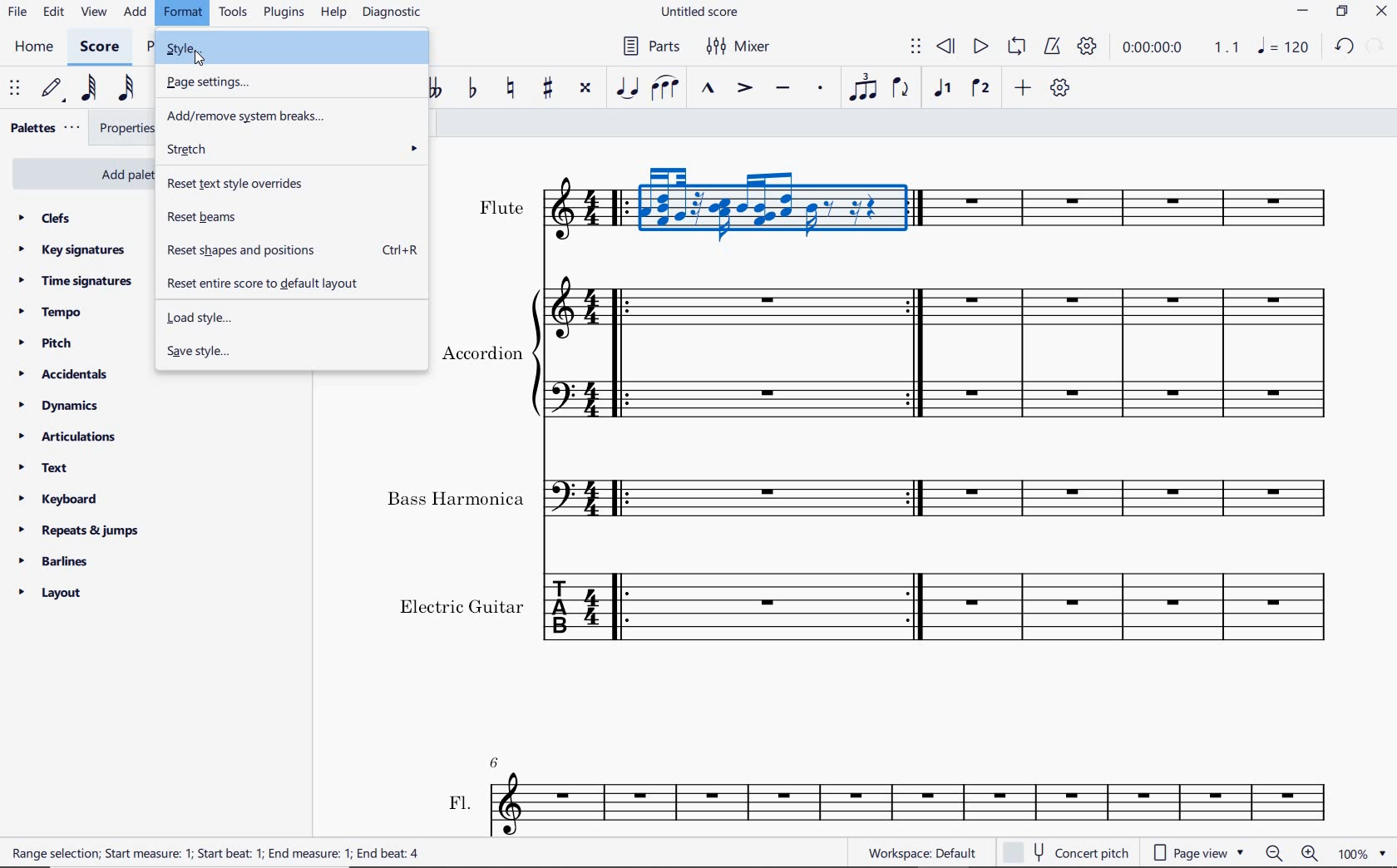  I want to click on Instrument: Flute, so click(905, 205).